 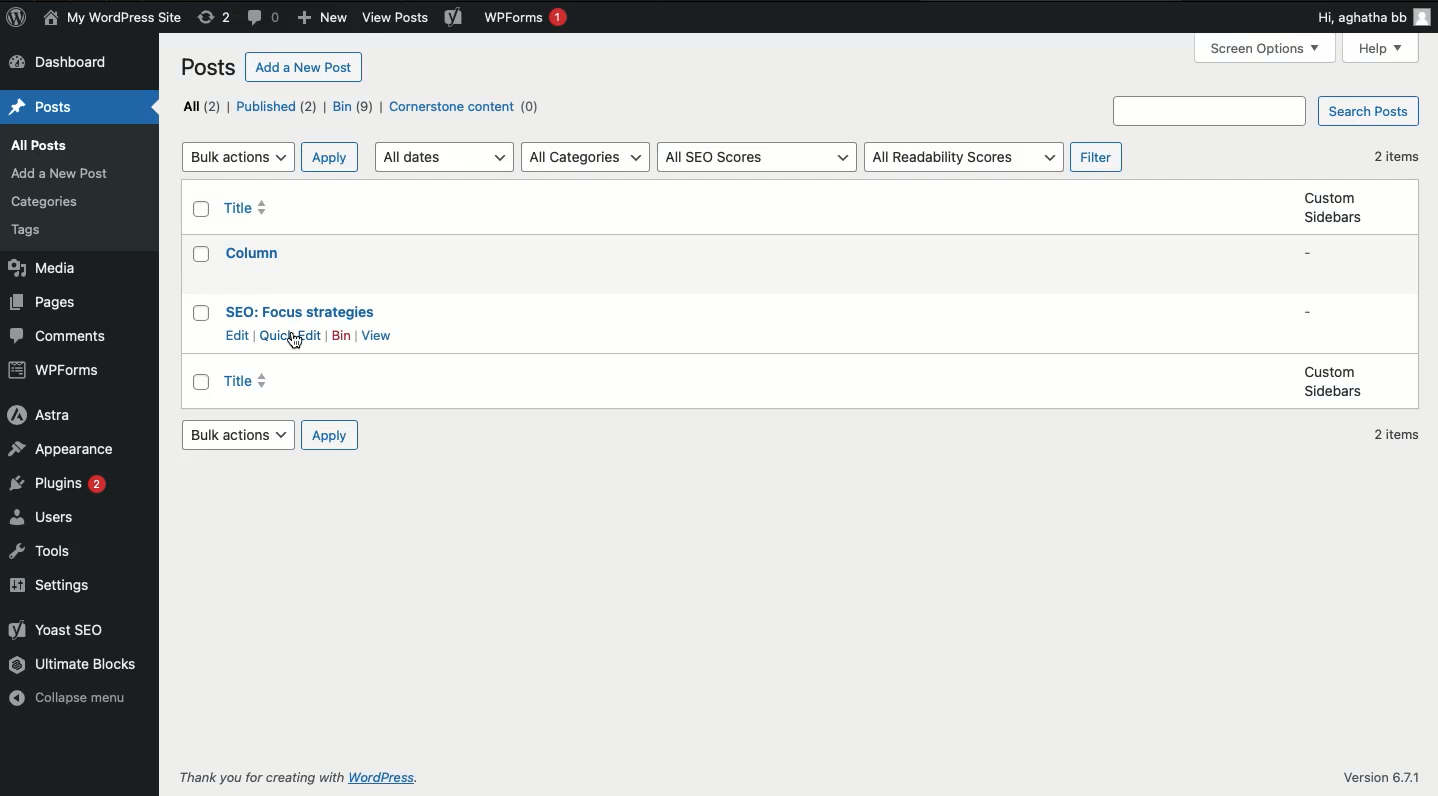 What do you see at coordinates (61, 64) in the screenshot?
I see `Dashboard` at bounding box center [61, 64].